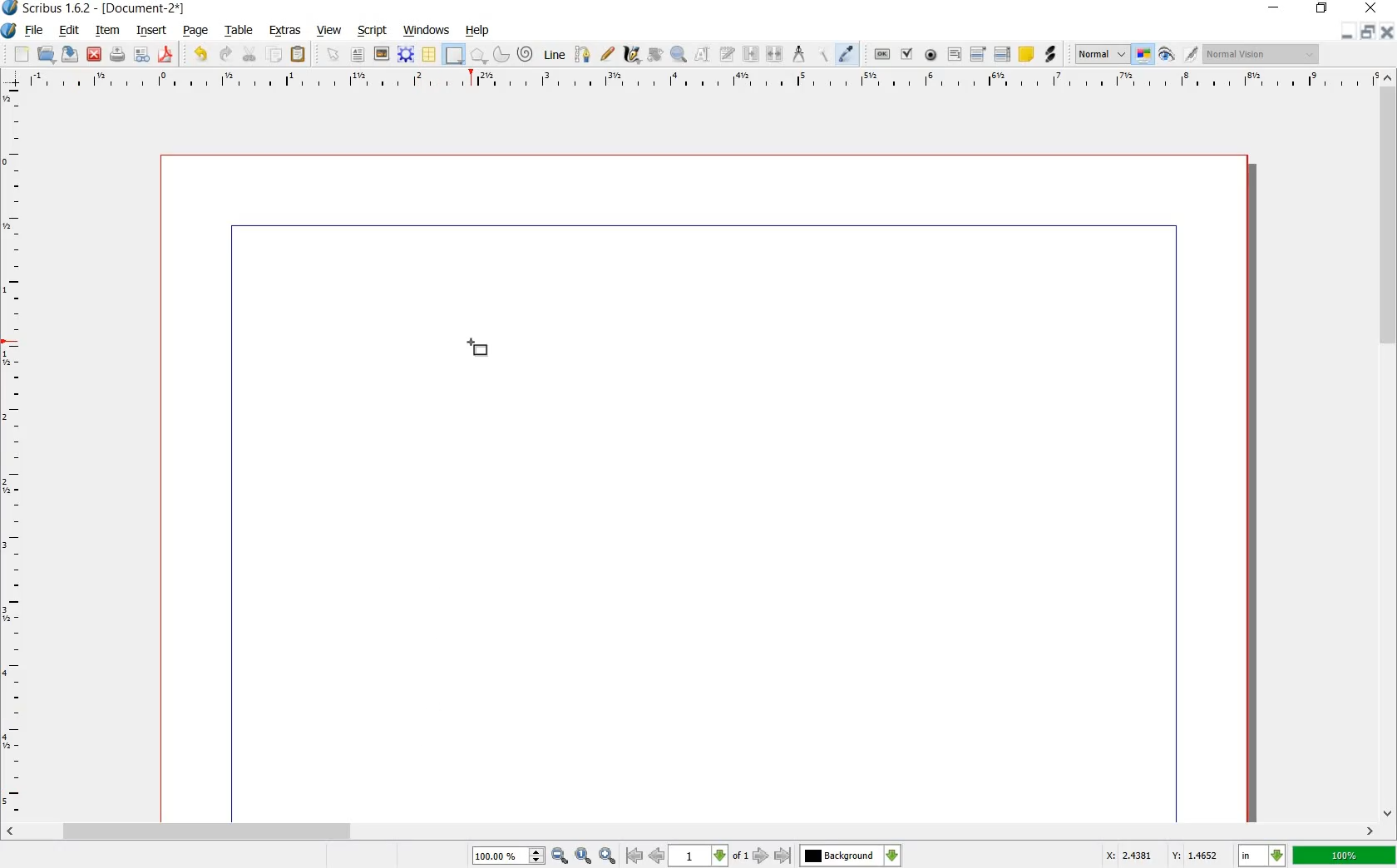 Image resolution: width=1397 pixels, height=868 pixels. I want to click on PDF RADIO BUTTON, so click(931, 55).